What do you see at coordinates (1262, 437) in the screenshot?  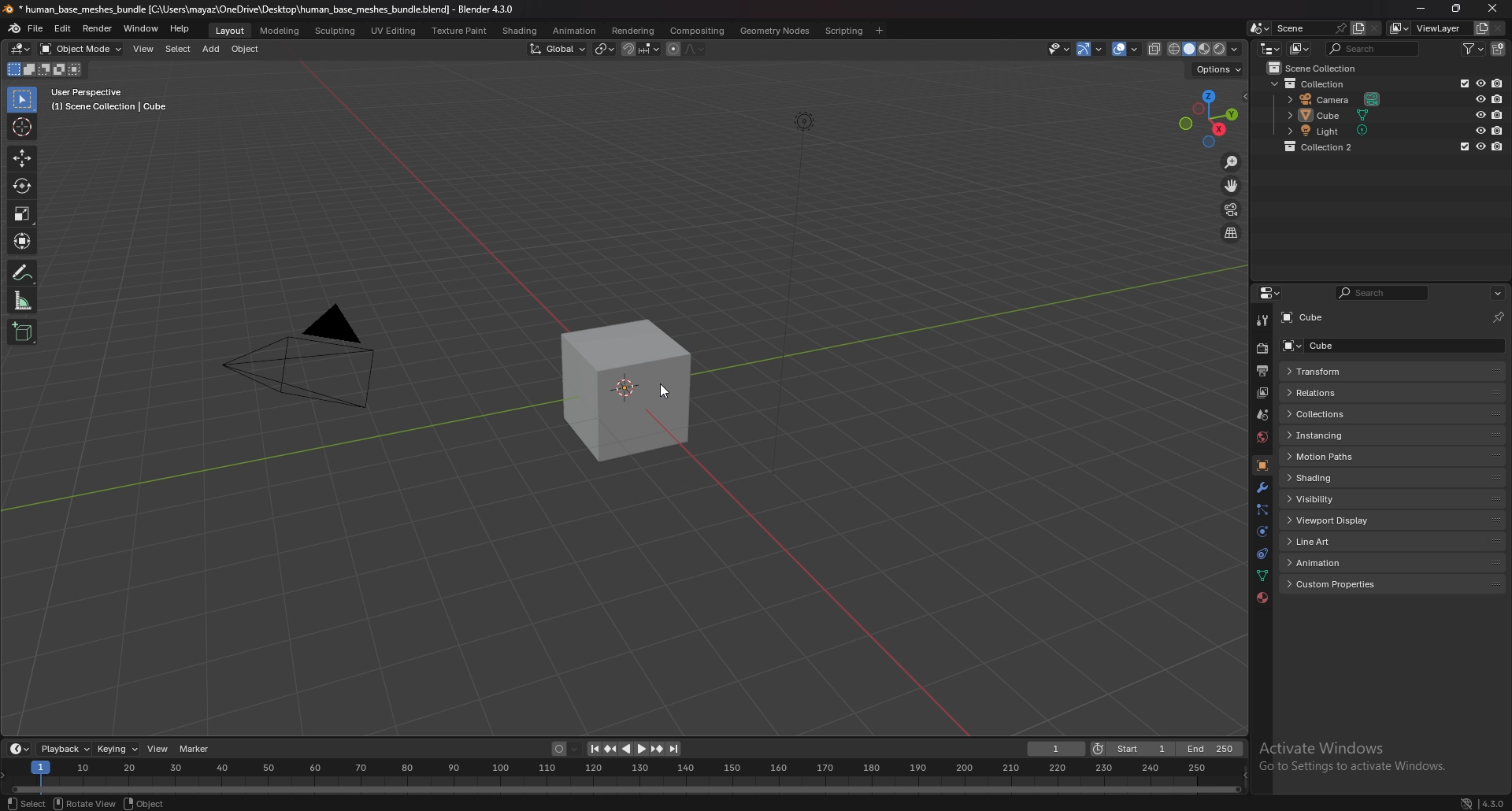 I see `world` at bounding box center [1262, 437].